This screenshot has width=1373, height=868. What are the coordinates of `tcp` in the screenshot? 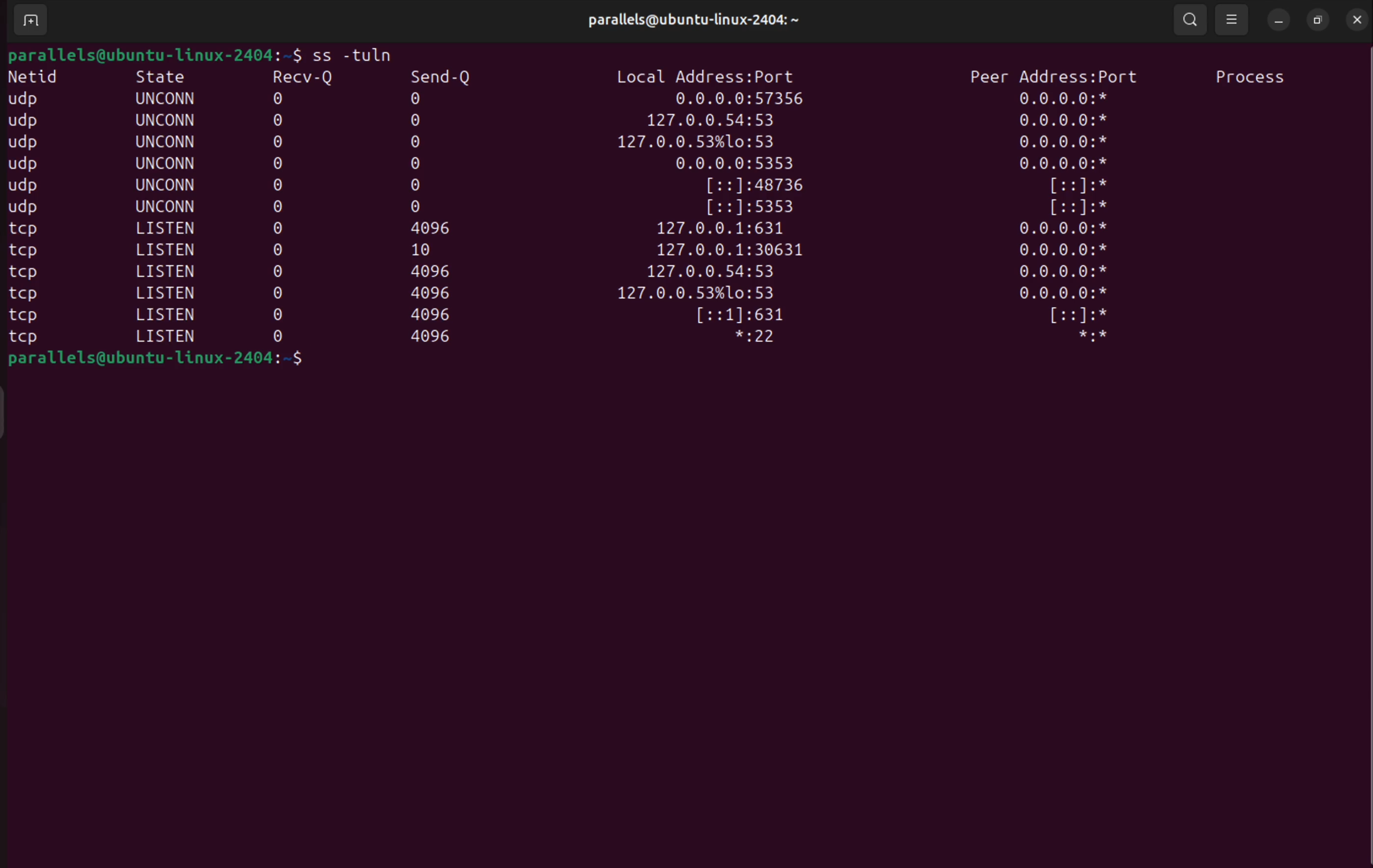 It's located at (25, 340).